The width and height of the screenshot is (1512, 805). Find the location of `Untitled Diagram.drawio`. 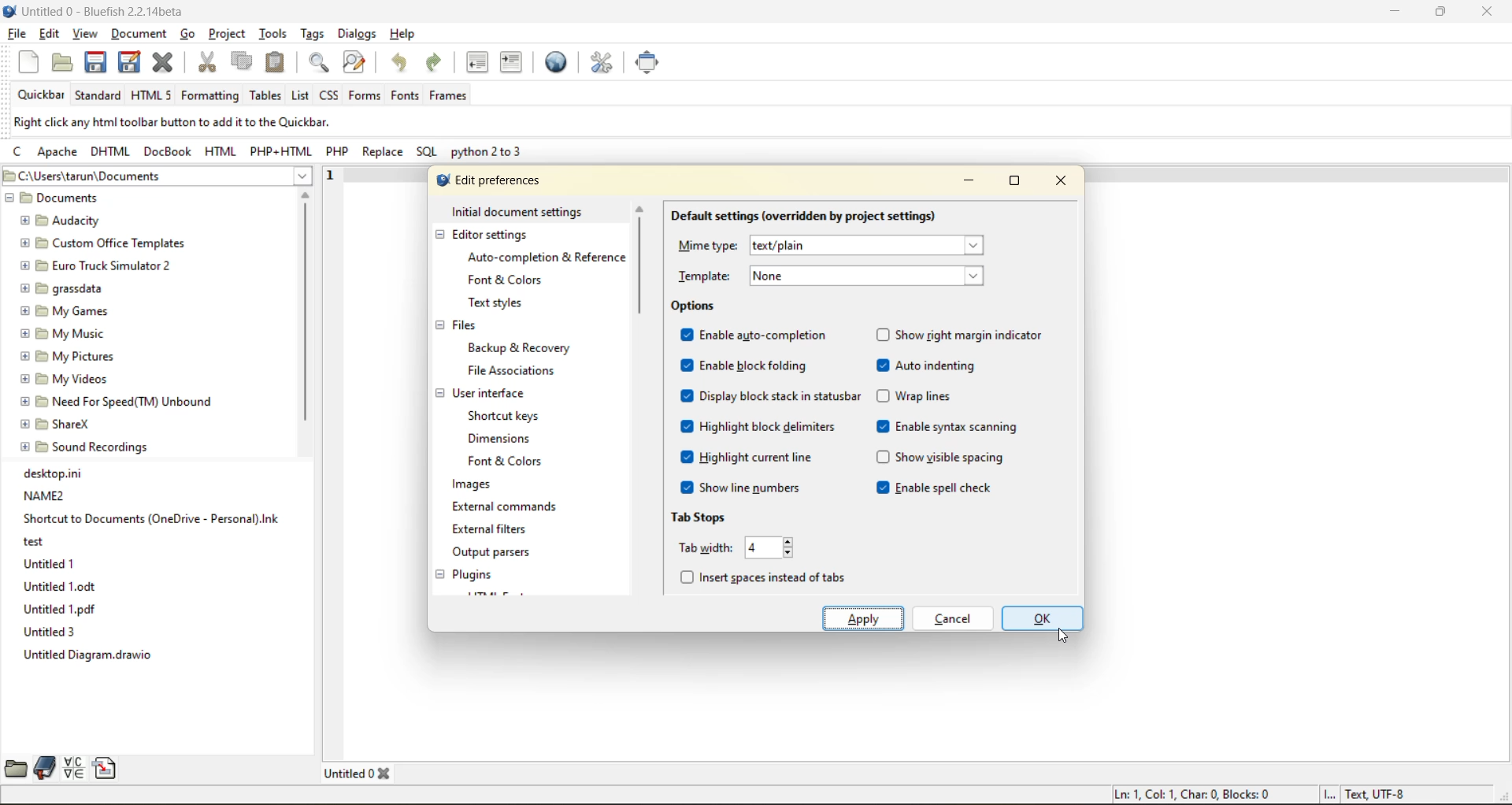

Untitled Diagram.drawio is located at coordinates (94, 657).